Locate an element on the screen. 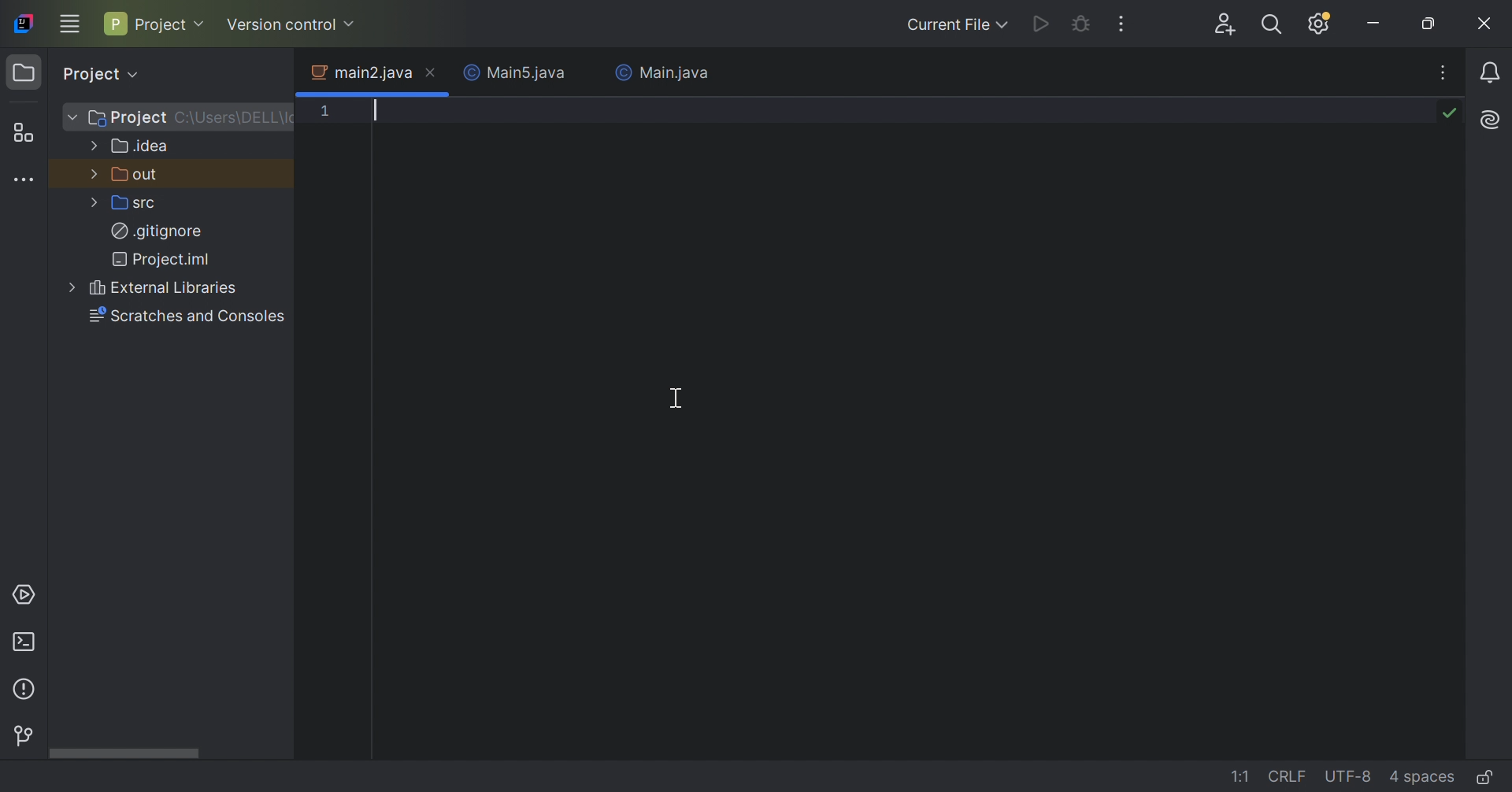  Problems is located at coordinates (24, 690).